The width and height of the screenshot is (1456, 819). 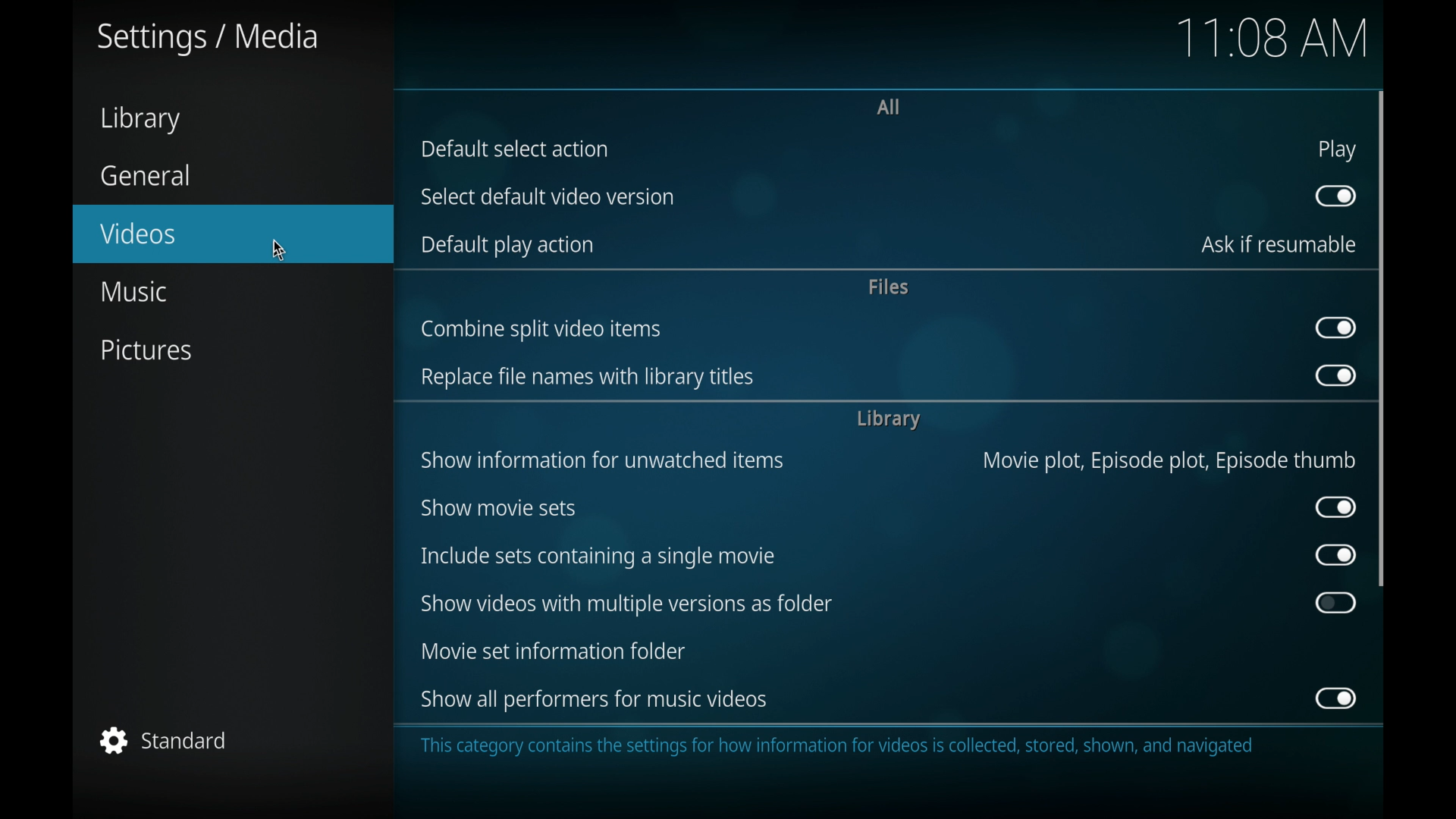 What do you see at coordinates (1382, 338) in the screenshot?
I see `scroll b ox` at bounding box center [1382, 338].